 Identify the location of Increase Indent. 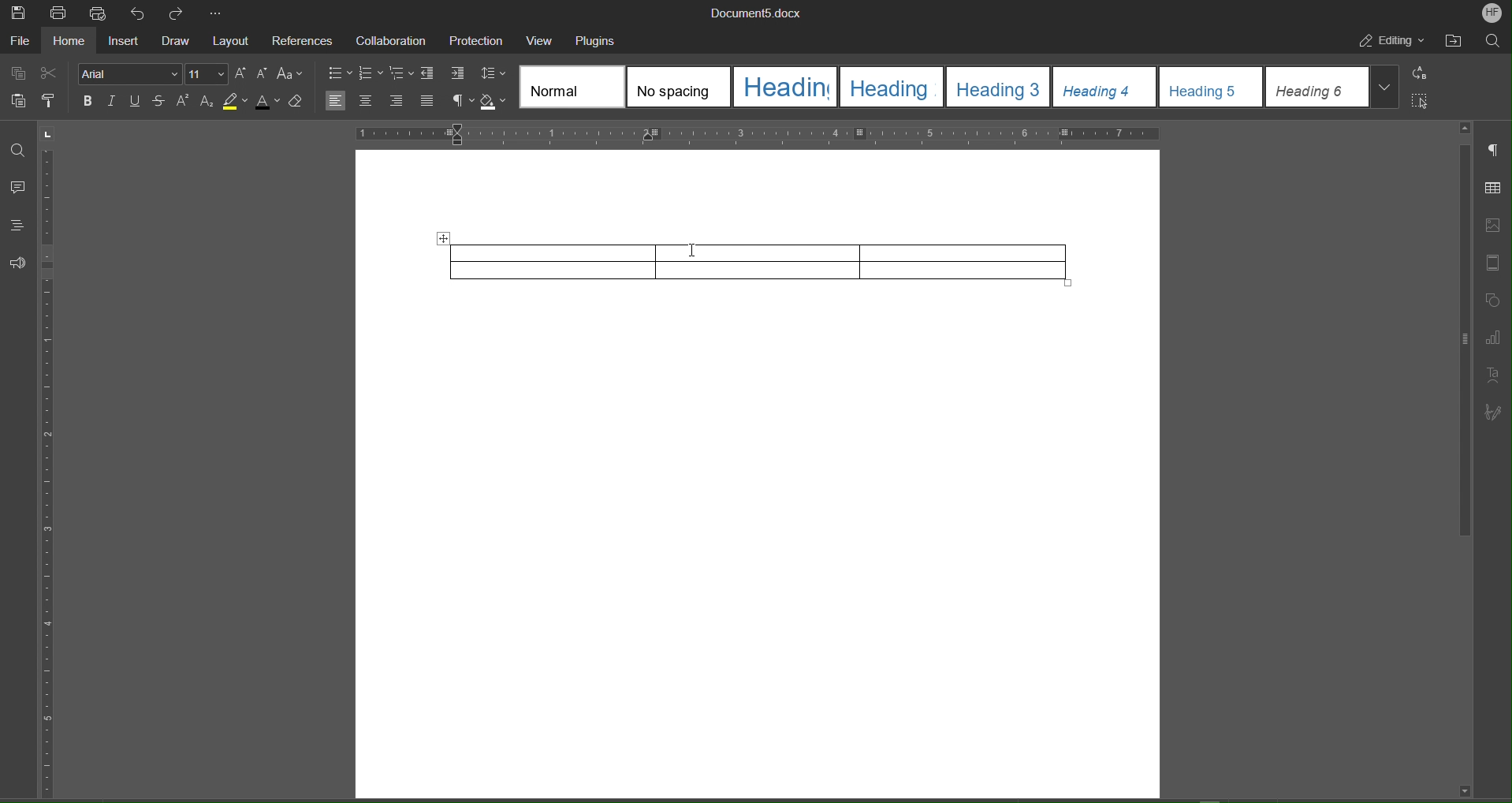
(459, 74).